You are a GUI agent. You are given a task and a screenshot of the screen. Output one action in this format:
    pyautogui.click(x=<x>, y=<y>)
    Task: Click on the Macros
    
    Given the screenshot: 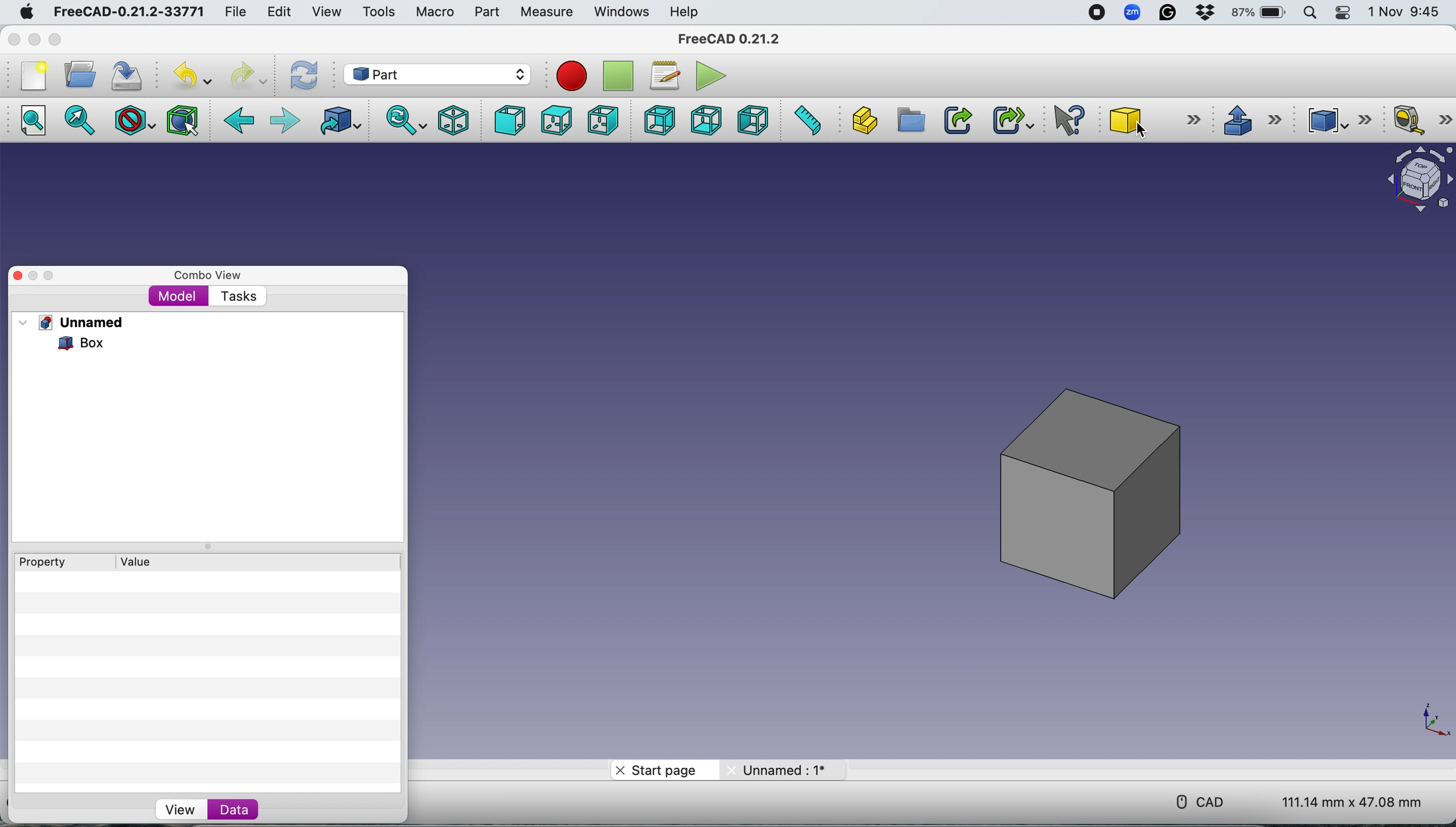 What is the action you would take?
    pyautogui.click(x=668, y=76)
    